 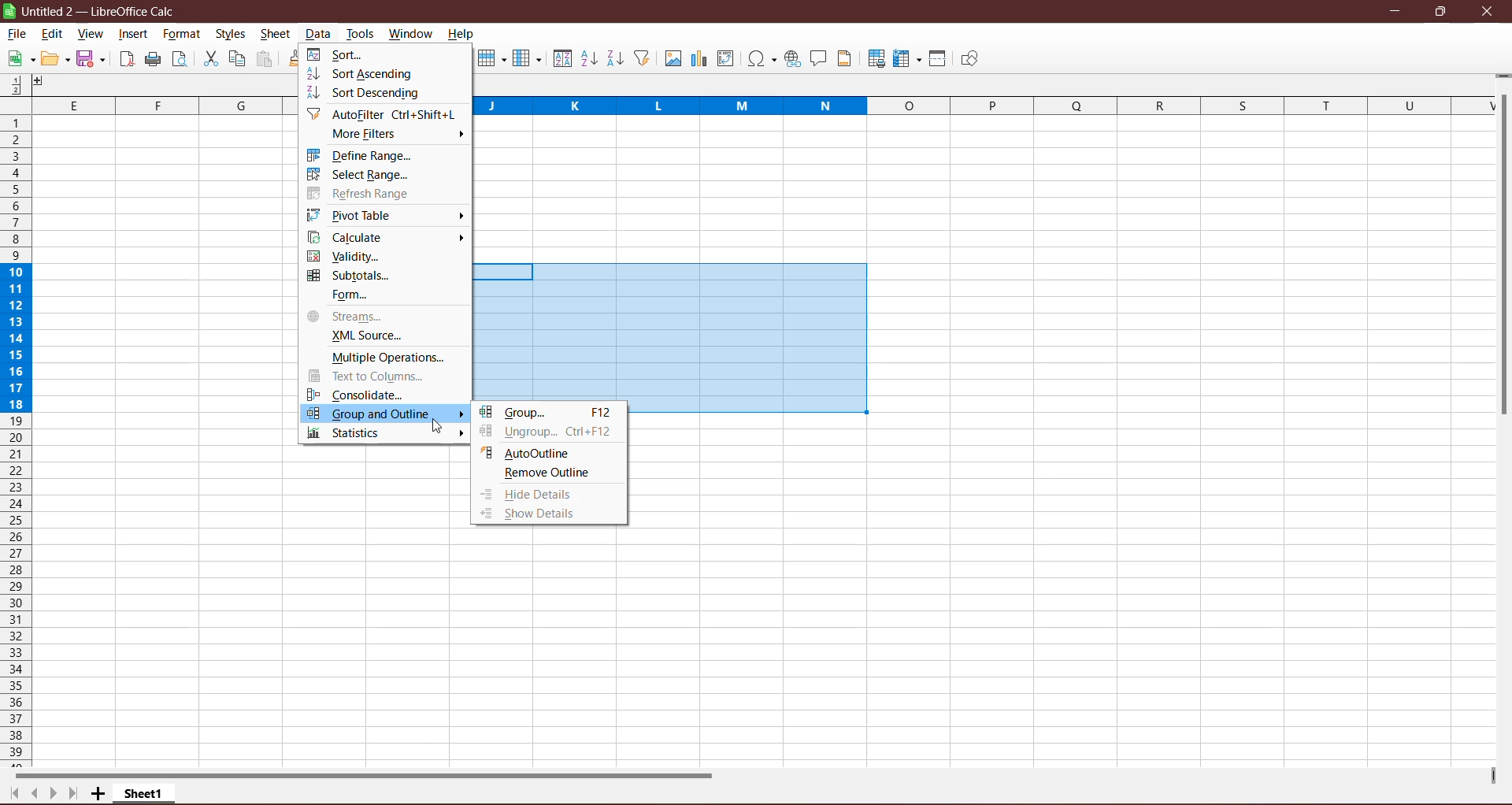 I want to click on Close, so click(x=1488, y=12).